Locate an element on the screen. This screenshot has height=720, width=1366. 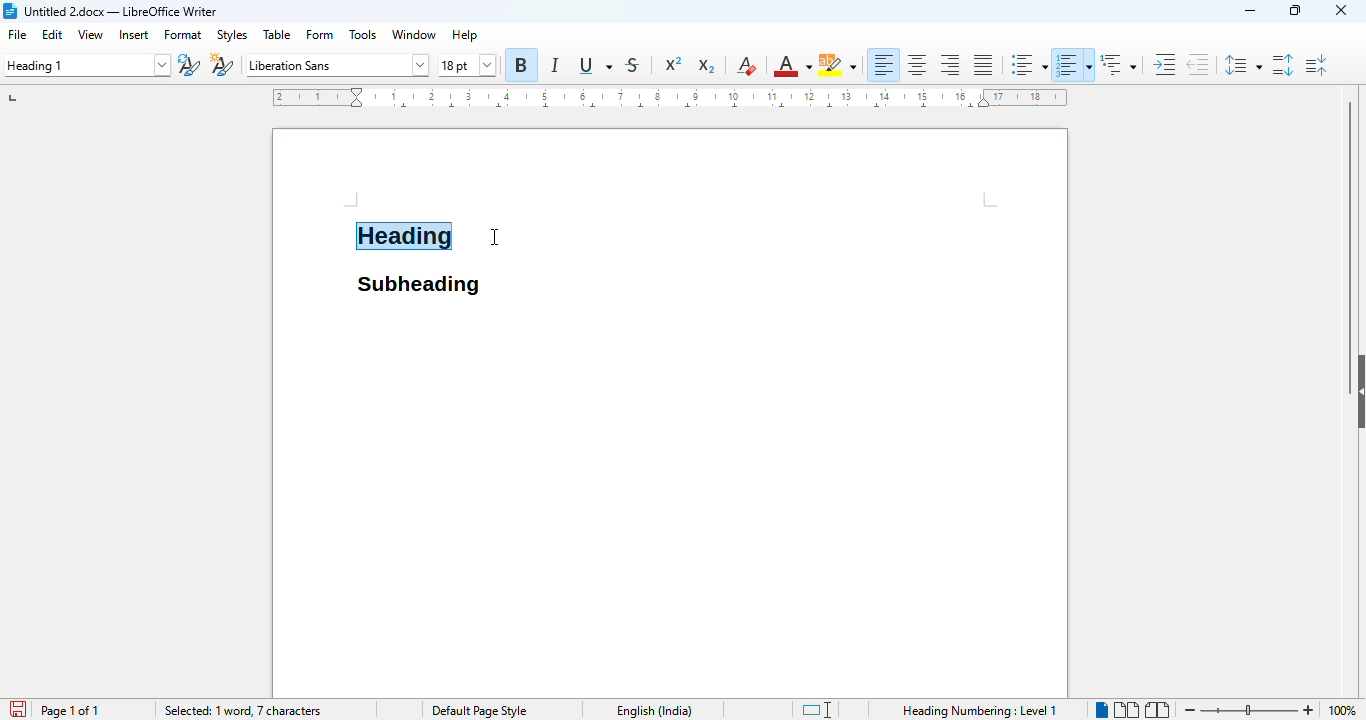
multi-page view is located at coordinates (1126, 710).